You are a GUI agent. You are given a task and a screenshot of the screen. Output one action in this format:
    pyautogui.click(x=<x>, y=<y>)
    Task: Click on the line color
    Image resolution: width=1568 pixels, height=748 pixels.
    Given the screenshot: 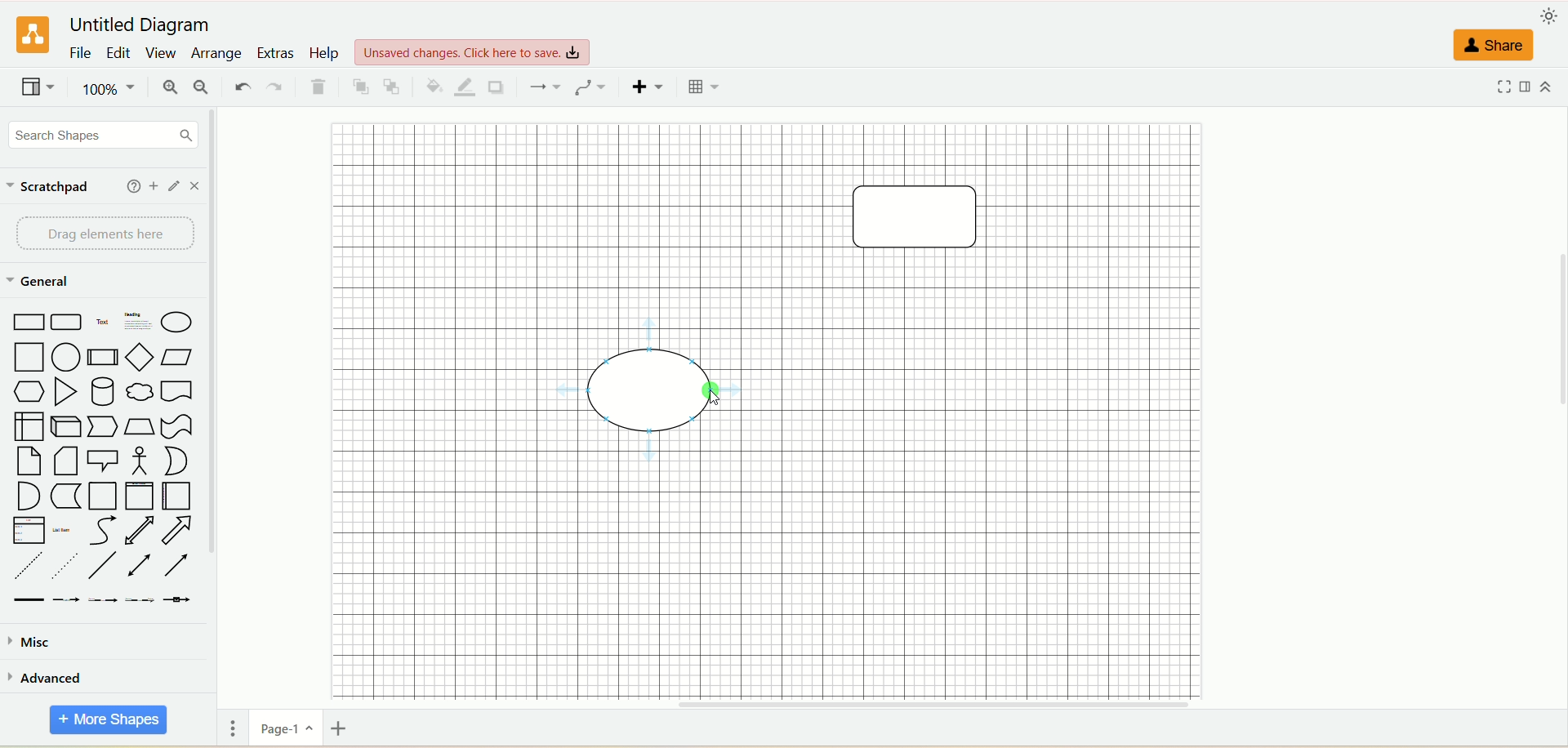 What is the action you would take?
    pyautogui.click(x=465, y=87)
    